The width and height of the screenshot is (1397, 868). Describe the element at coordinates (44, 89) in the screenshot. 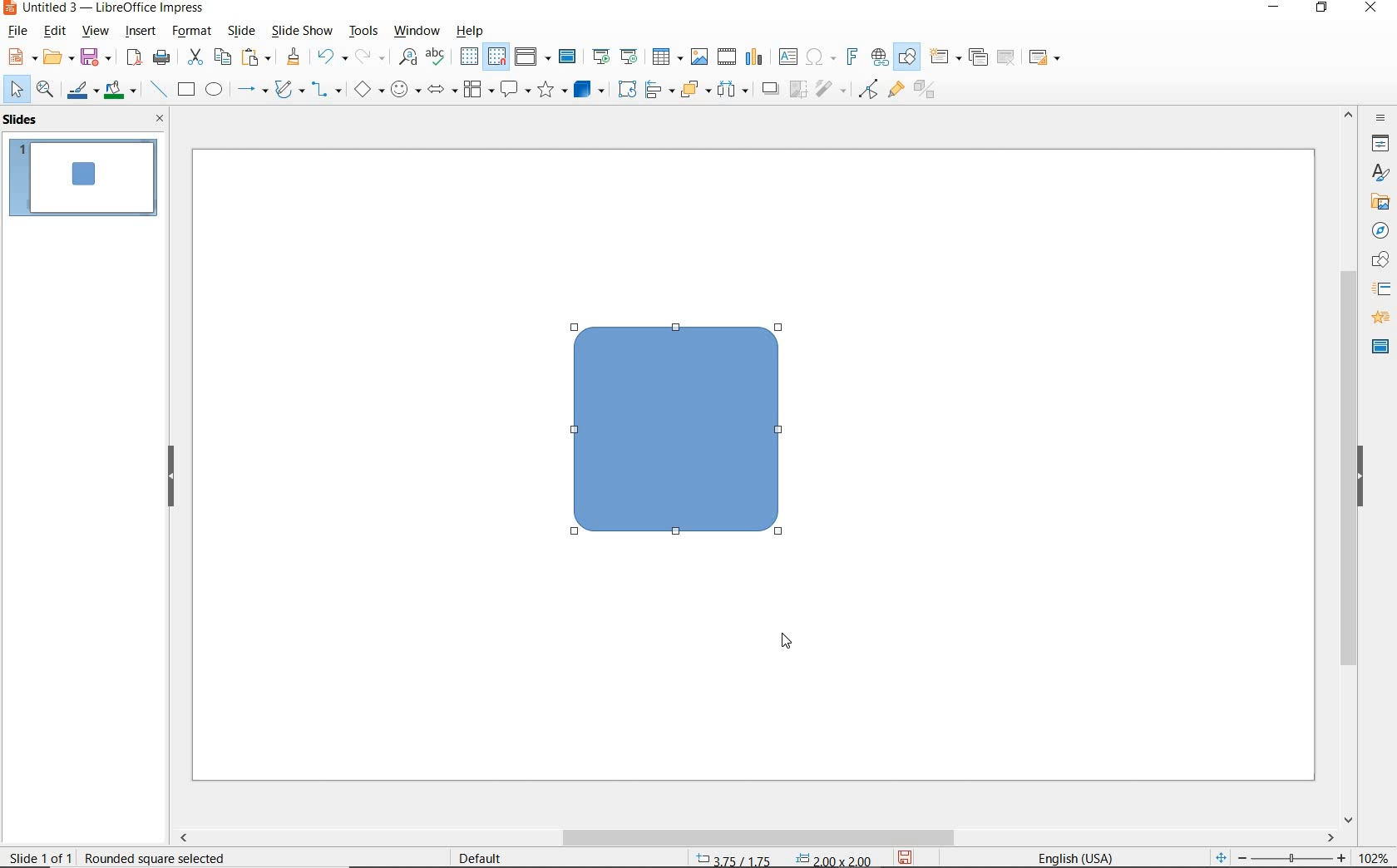

I see `zoom & pan` at that location.